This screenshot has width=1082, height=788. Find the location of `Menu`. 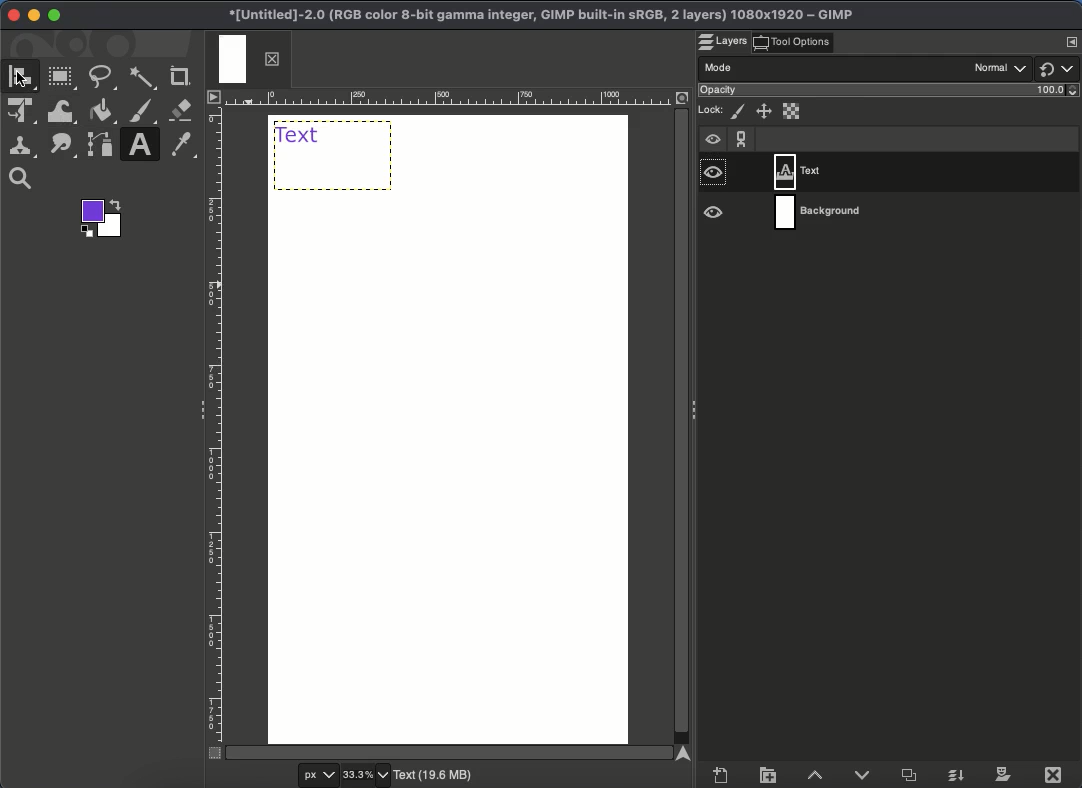

Menu is located at coordinates (212, 96).